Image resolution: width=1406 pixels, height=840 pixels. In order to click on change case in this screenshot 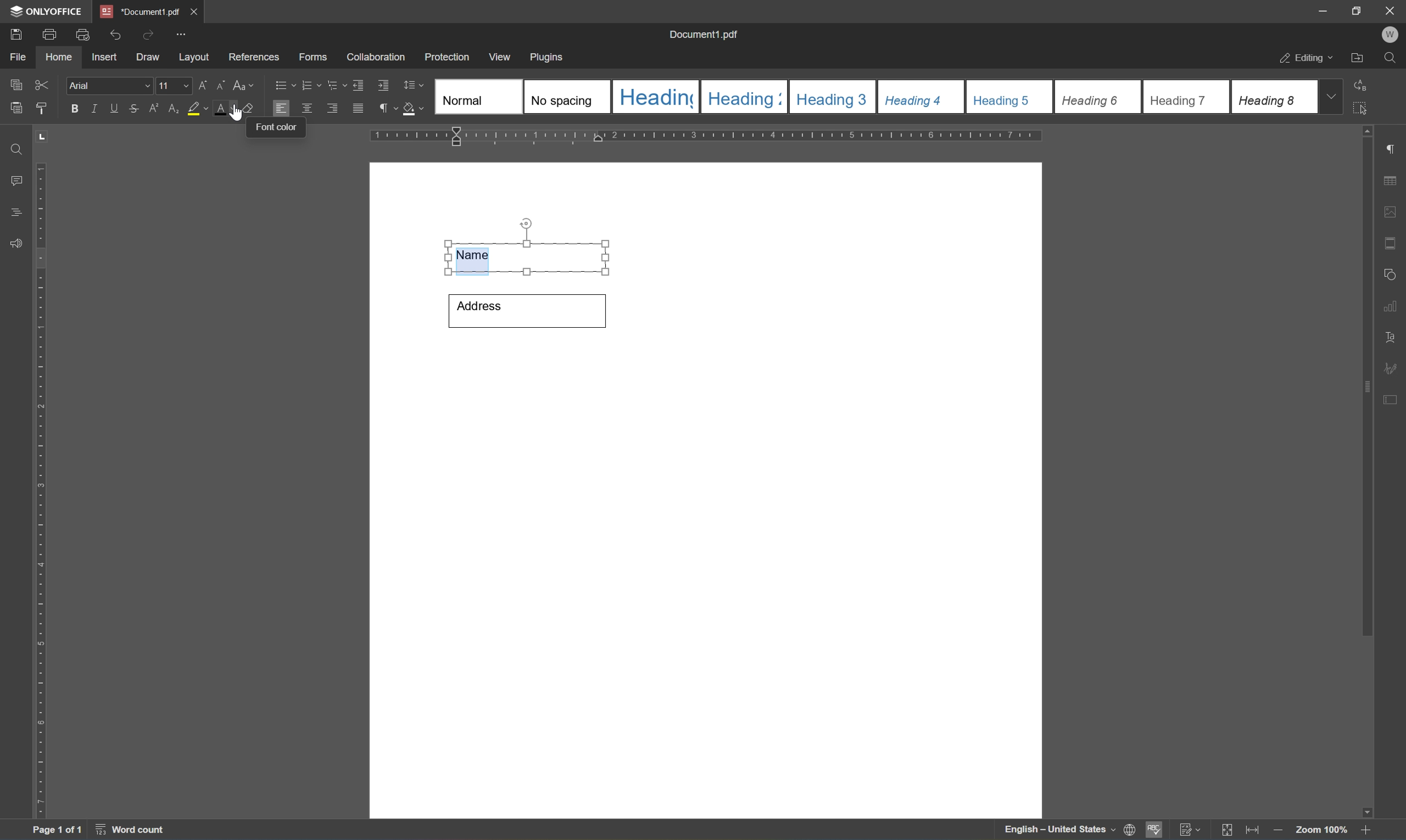, I will do `click(245, 87)`.